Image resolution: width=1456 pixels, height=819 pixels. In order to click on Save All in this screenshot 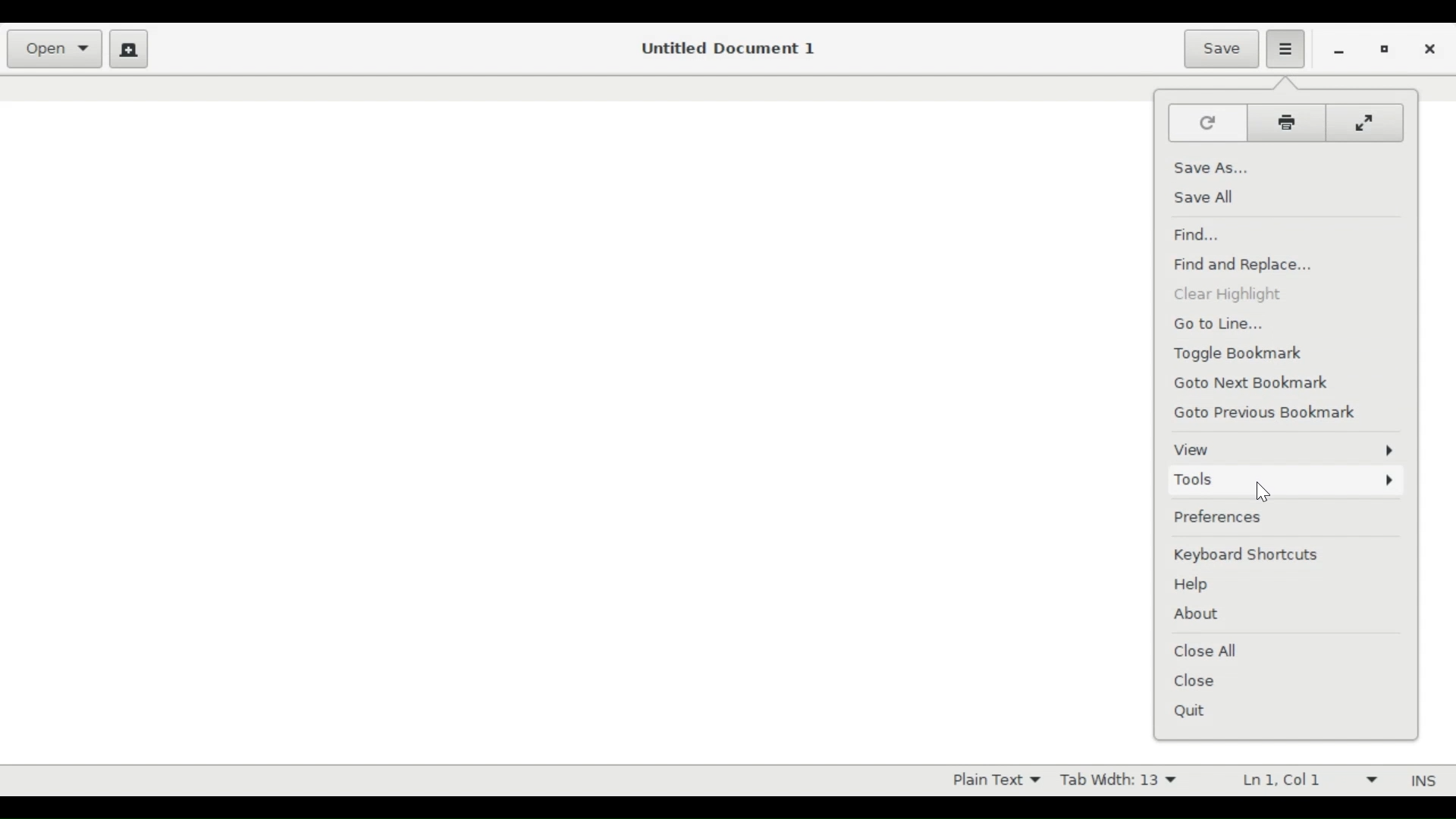, I will do `click(1203, 197)`.